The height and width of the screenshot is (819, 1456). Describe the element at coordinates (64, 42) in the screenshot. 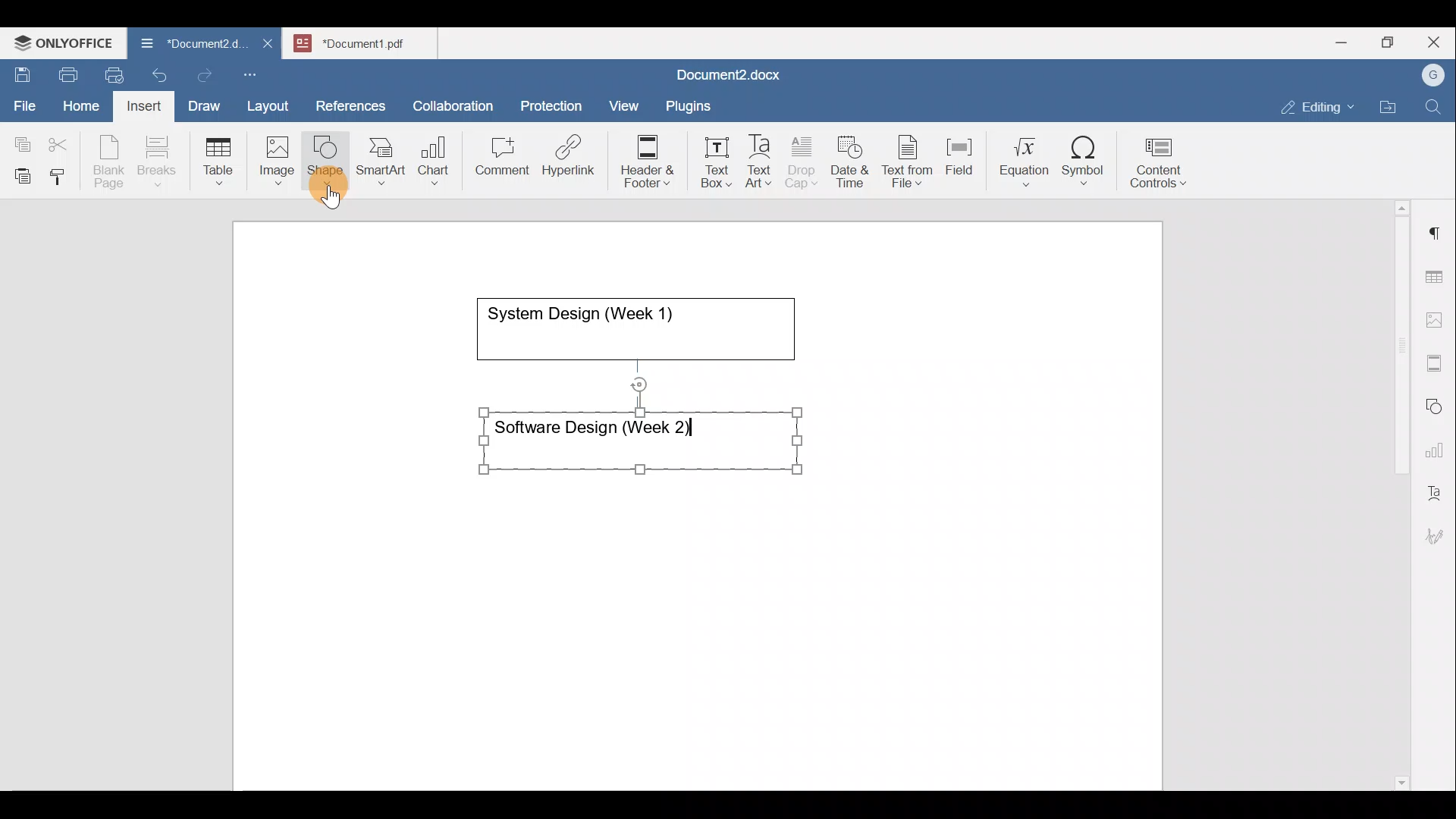

I see `ONLYOFFICE` at that location.